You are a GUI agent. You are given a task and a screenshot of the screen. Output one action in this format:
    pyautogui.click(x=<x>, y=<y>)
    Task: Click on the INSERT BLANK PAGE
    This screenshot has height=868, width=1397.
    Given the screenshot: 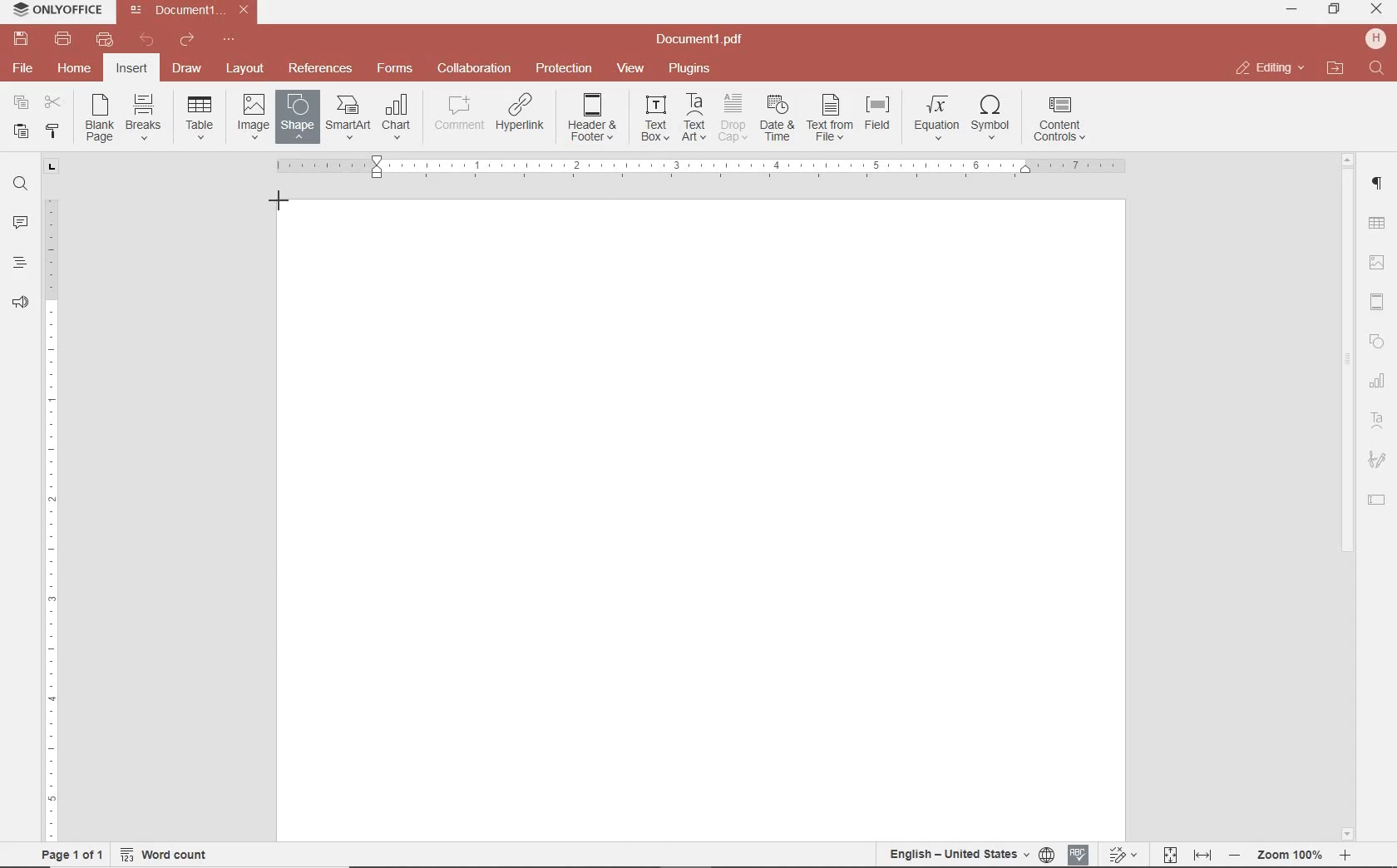 What is the action you would take?
    pyautogui.click(x=99, y=117)
    